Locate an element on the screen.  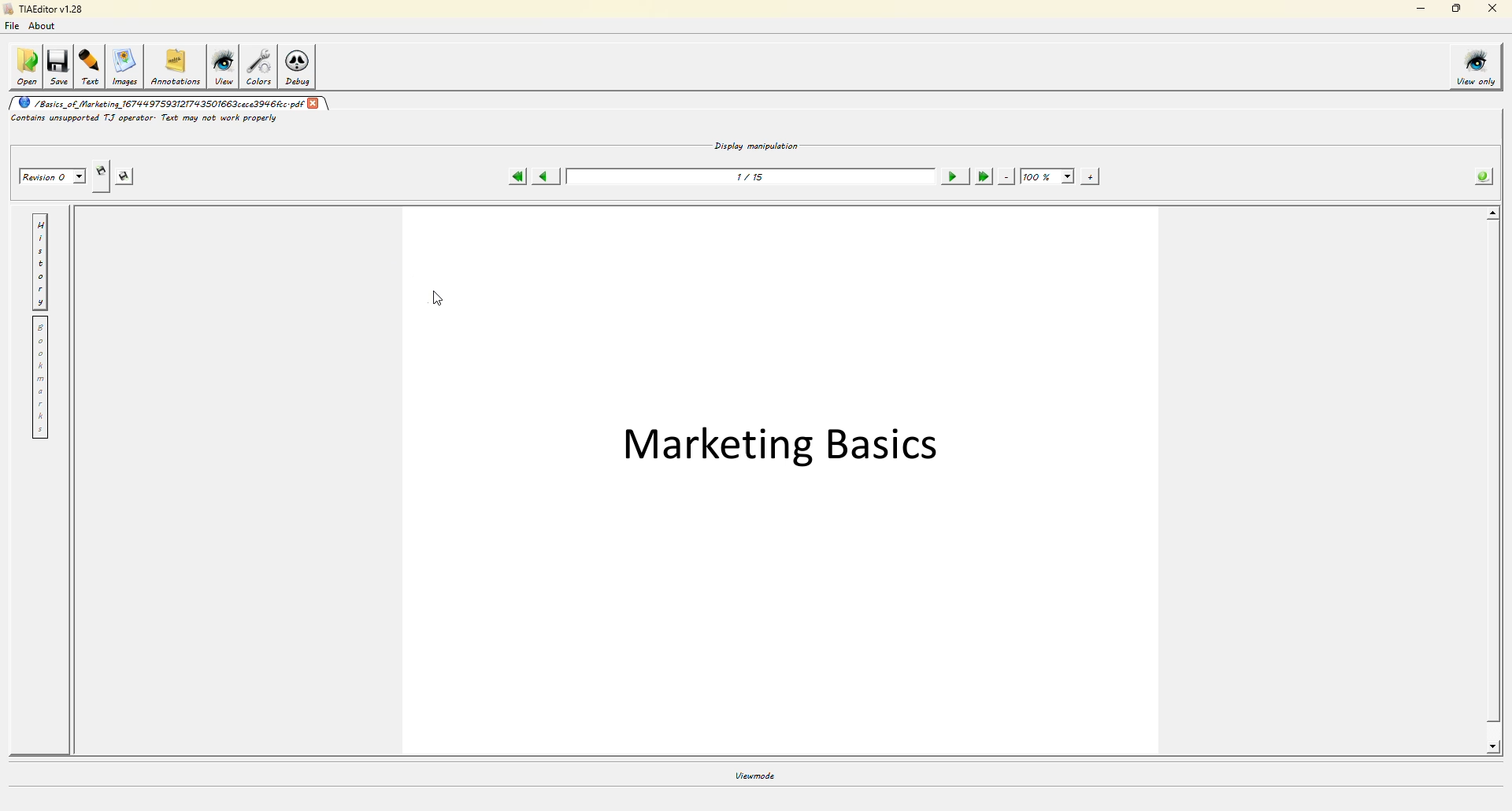
bokmarks is located at coordinates (44, 379).